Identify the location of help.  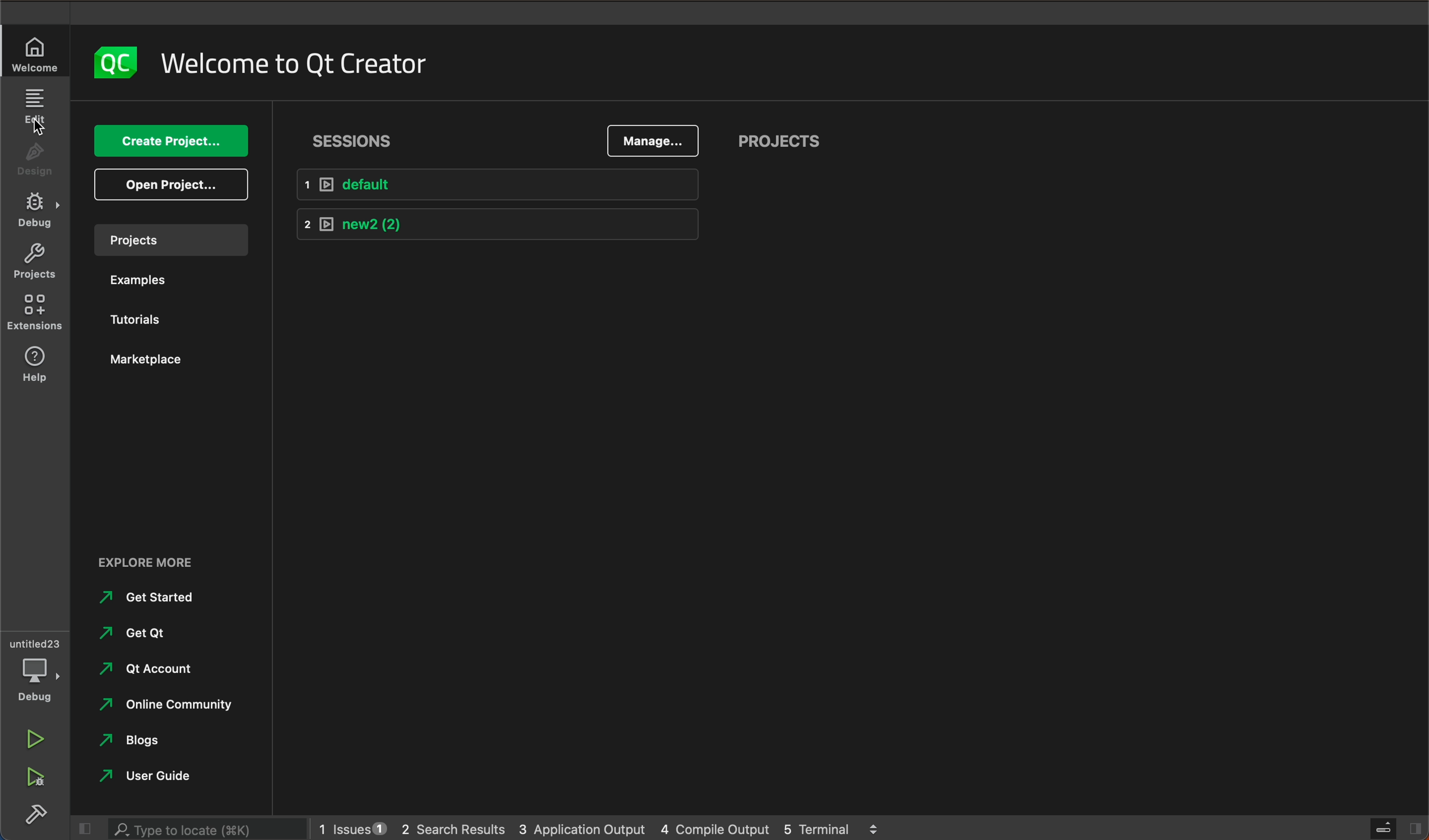
(35, 366).